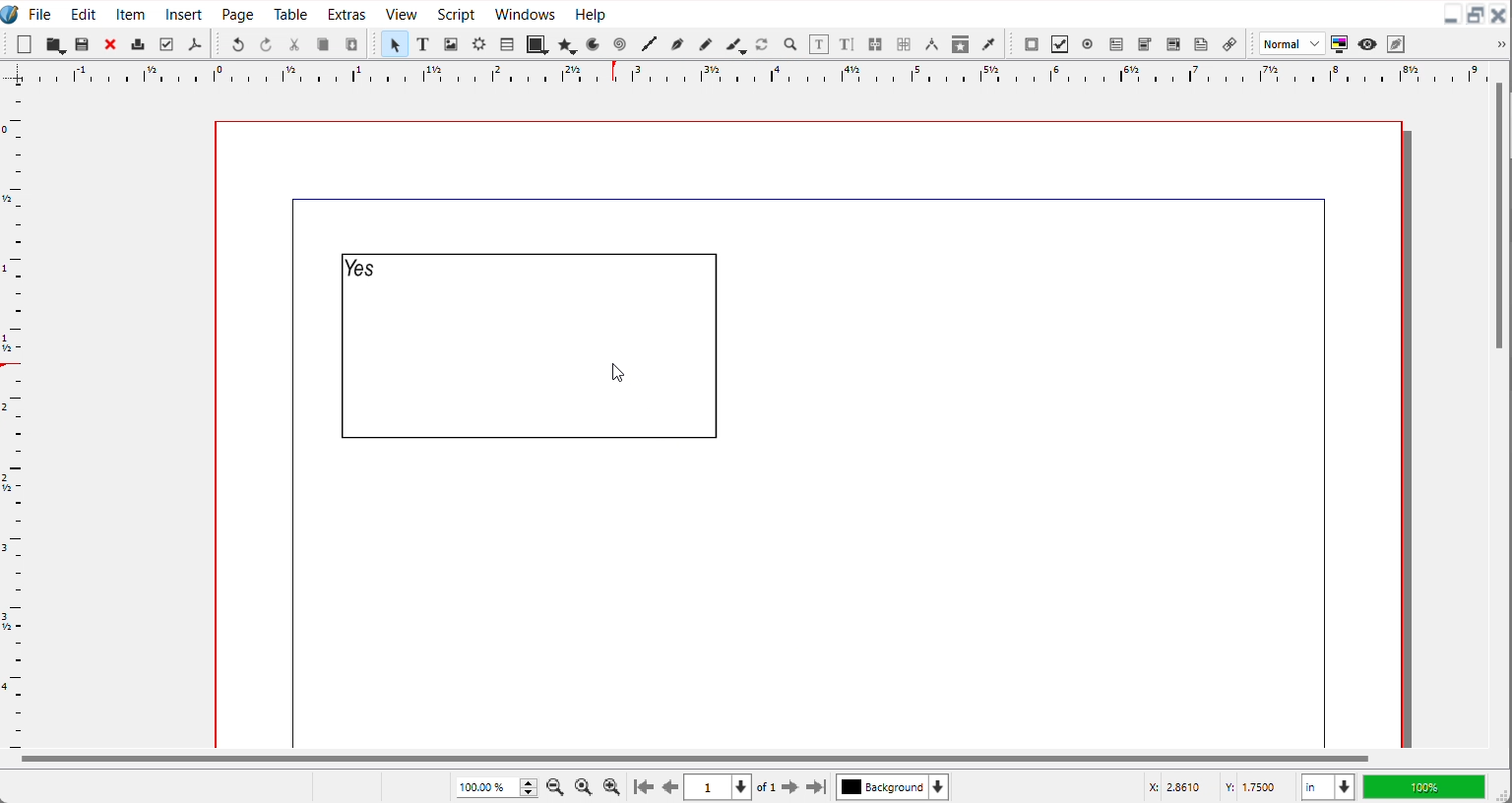 This screenshot has height=803, width=1512. Describe the element at coordinates (14, 413) in the screenshot. I see `Vertical Scale` at that location.